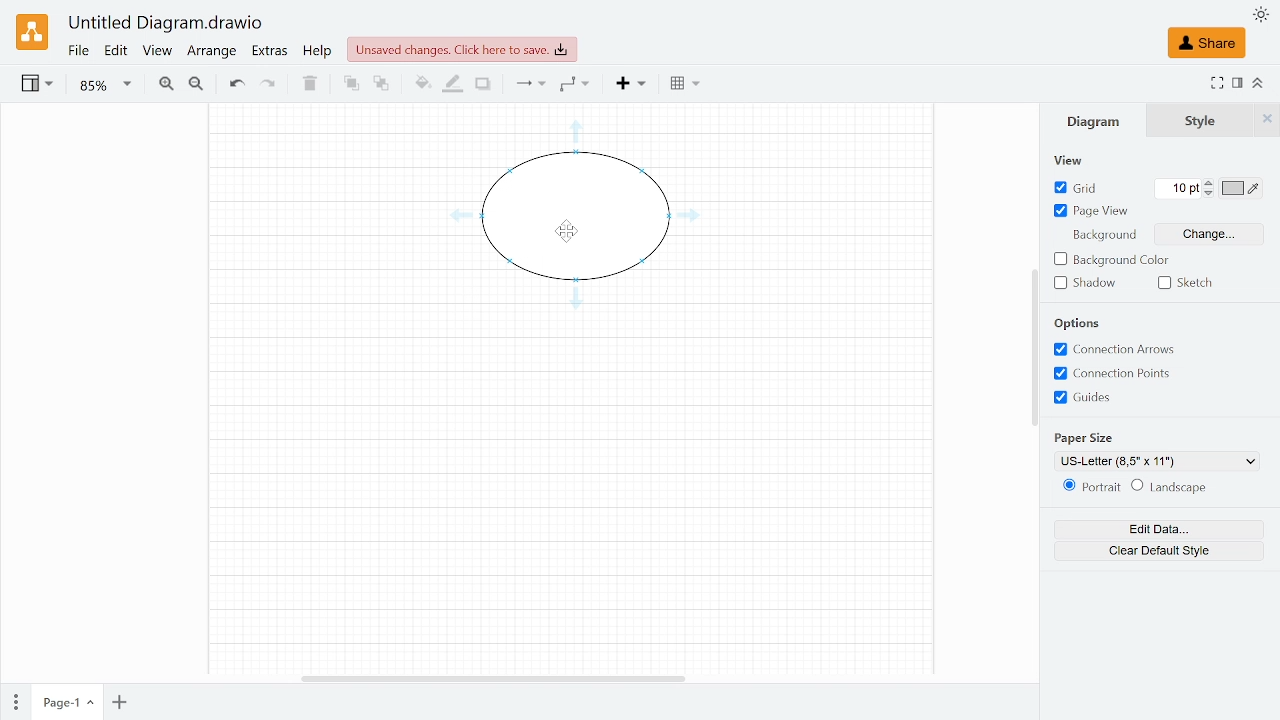 Image resolution: width=1280 pixels, height=720 pixels. Describe the element at coordinates (1032, 349) in the screenshot. I see `scroll bar` at that location.